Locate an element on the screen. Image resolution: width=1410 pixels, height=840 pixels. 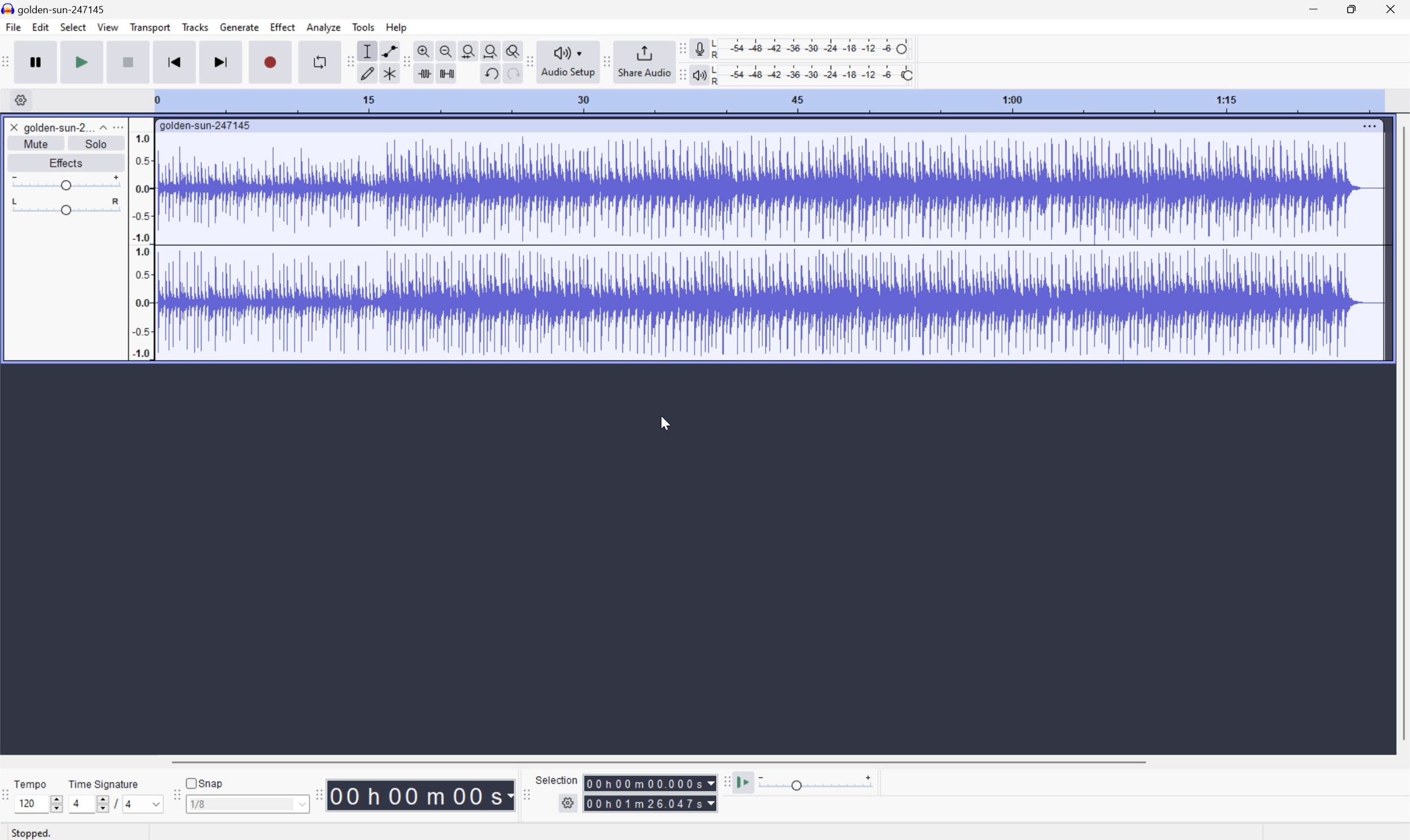
1/8 is located at coordinates (246, 804).